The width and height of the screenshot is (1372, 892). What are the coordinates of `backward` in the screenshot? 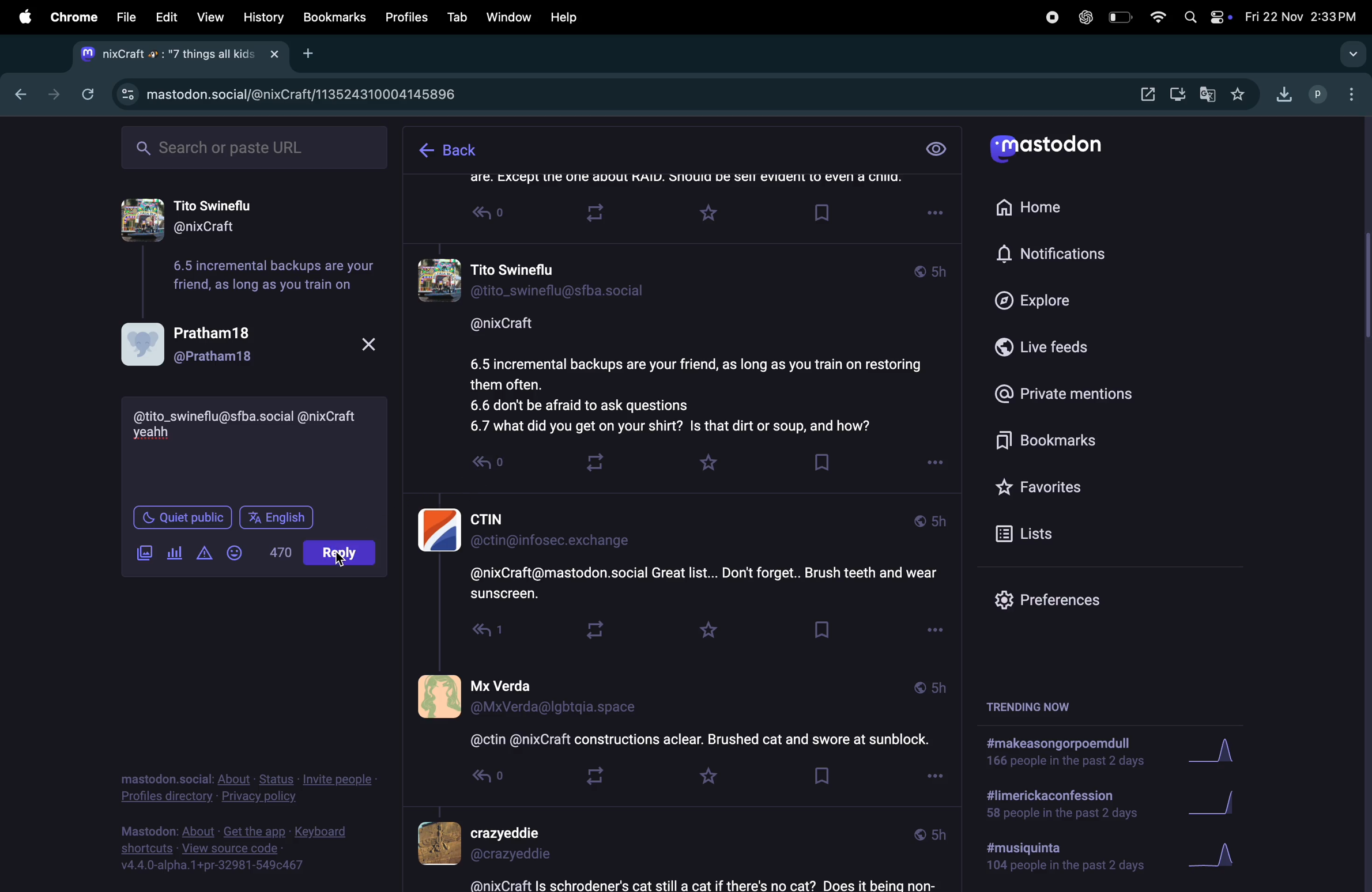 It's located at (16, 95).